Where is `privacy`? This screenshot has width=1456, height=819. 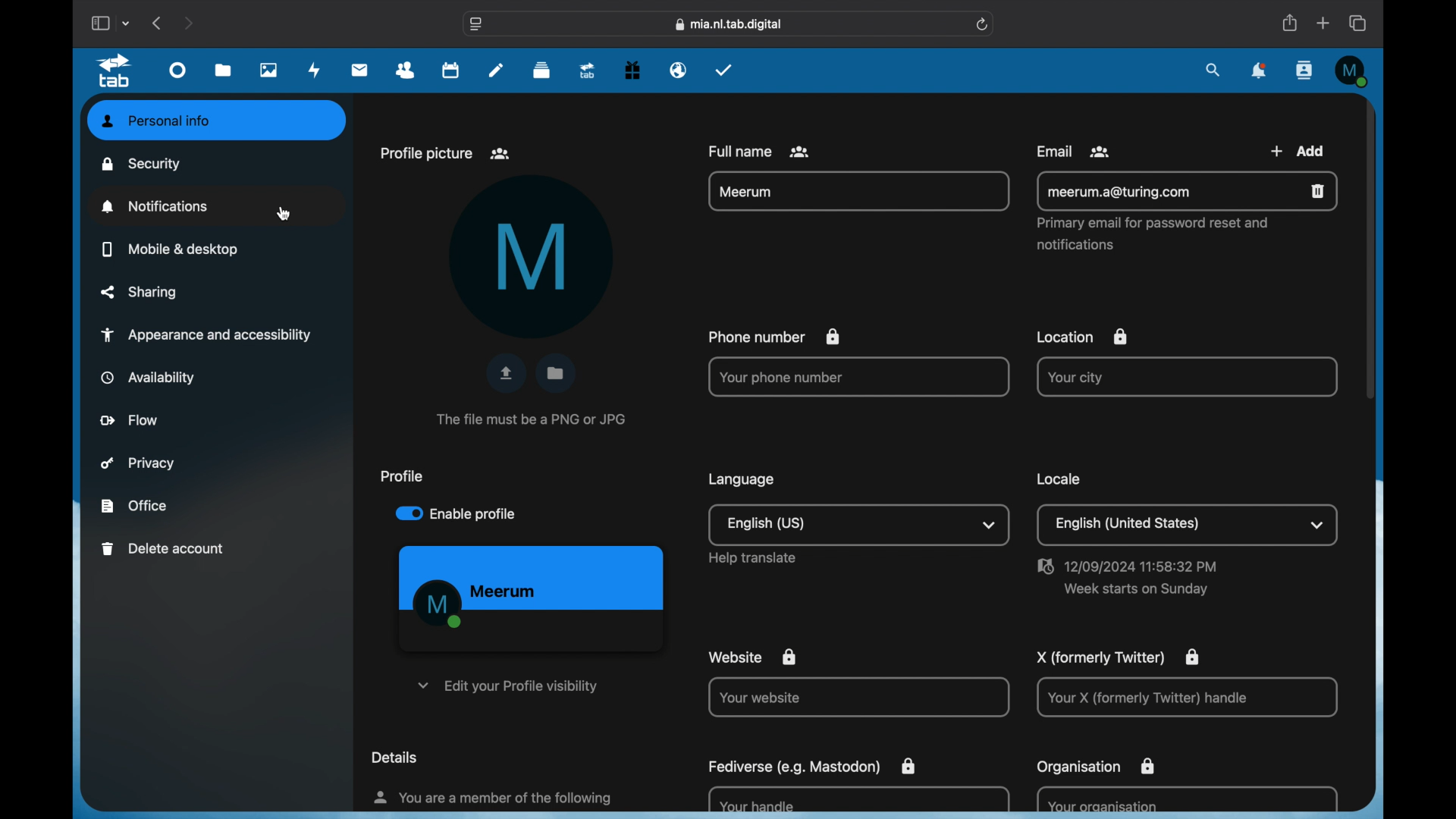
privacy is located at coordinates (140, 463).